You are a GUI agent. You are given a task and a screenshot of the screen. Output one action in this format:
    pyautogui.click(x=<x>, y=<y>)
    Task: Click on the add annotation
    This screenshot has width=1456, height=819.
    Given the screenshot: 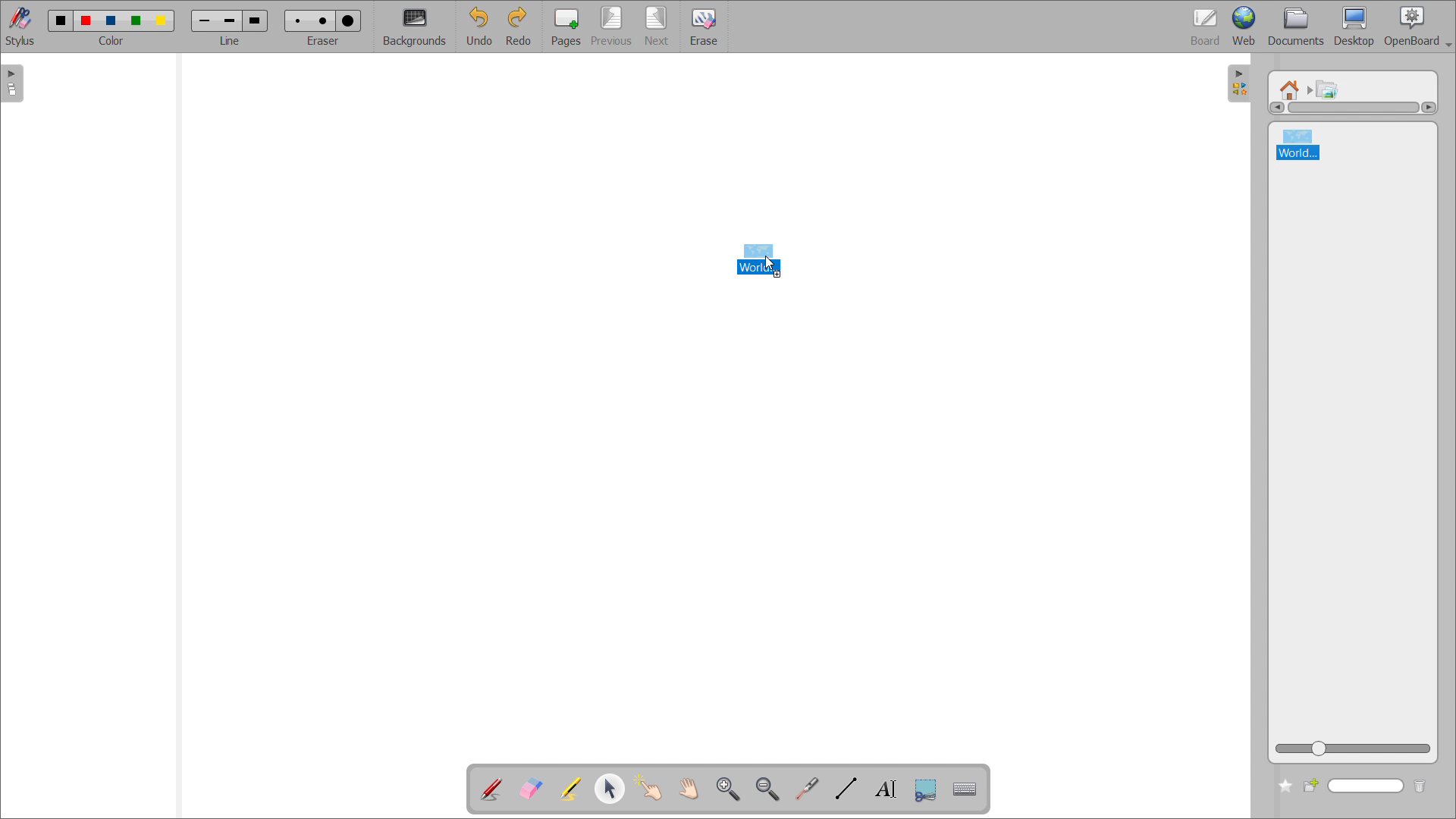 What is the action you would take?
    pyautogui.click(x=492, y=789)
    